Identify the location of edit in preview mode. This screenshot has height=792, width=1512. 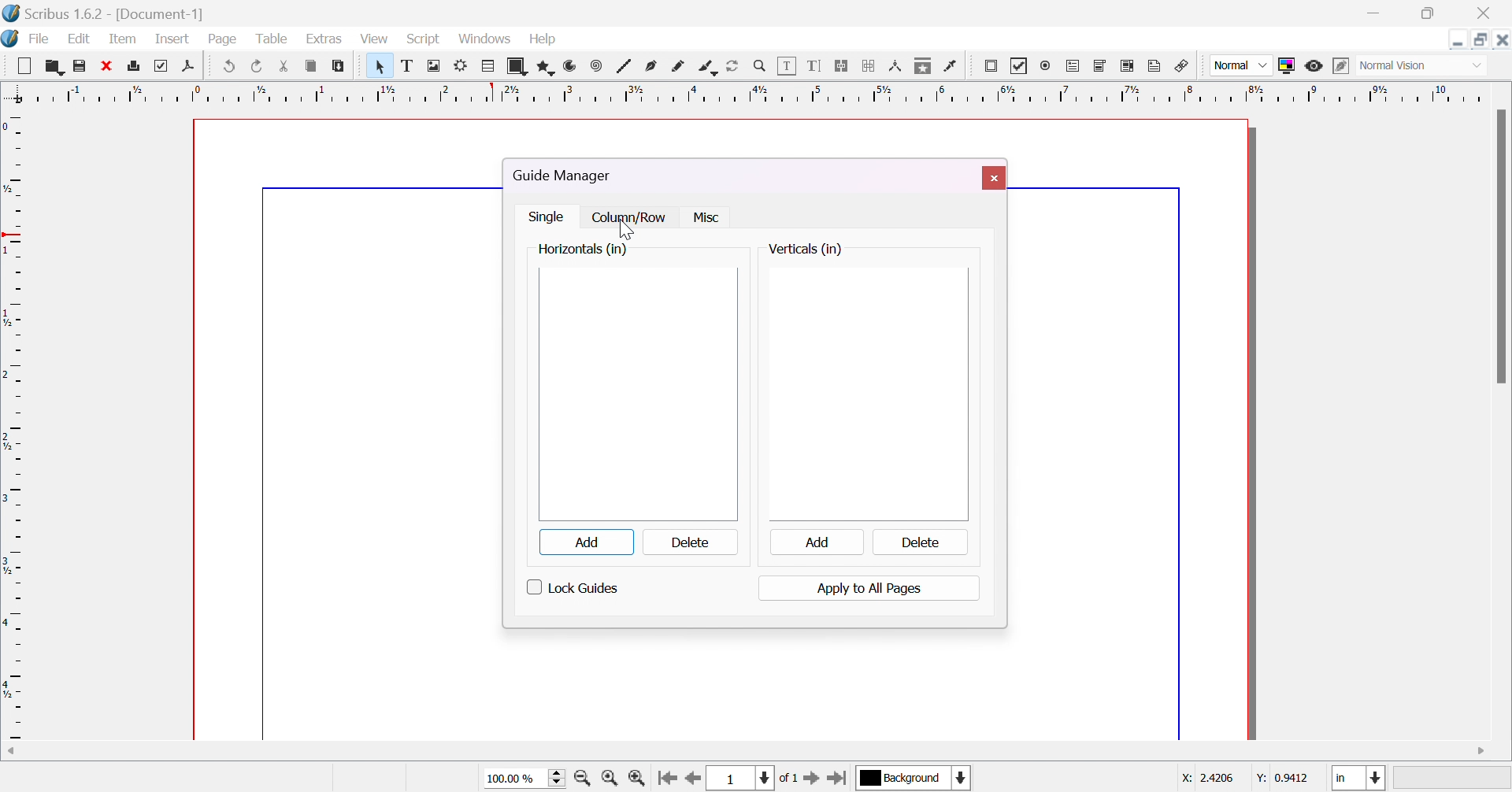
(1341, 65).